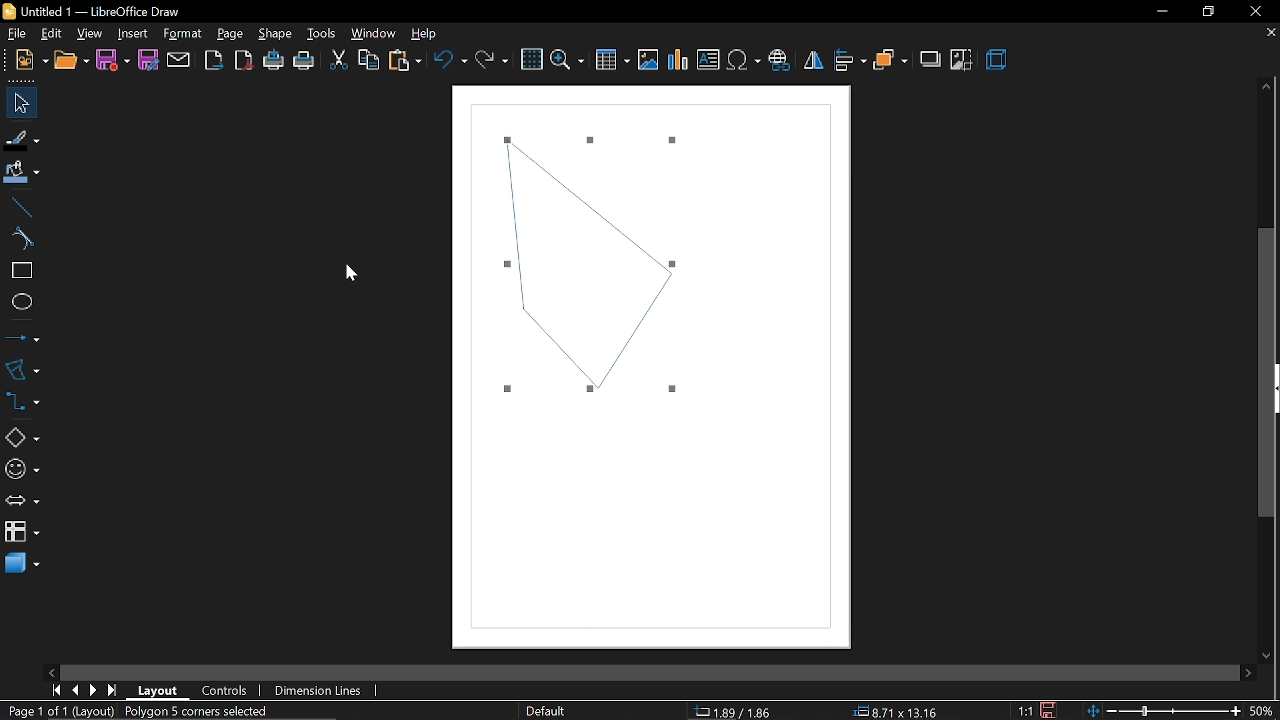 The height and width of the screenshot is (720, 1280). I want to click on page style, so click(546, 711).